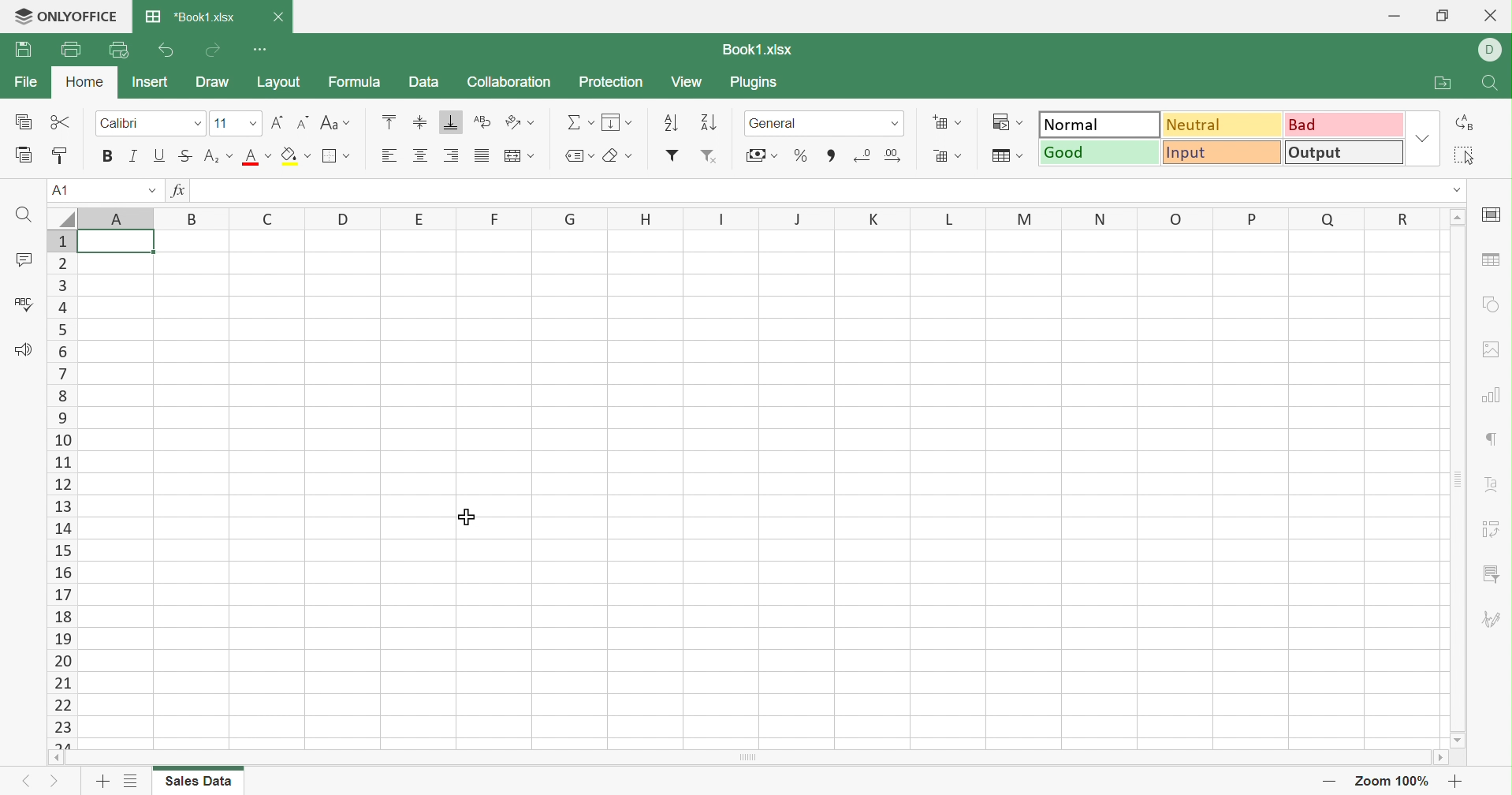 The height and width of the screenshot is (795, 1512). What do you see at coordinates (1492, 50) in the screenshot?
I see `D` at bounding box center [1492, 50].